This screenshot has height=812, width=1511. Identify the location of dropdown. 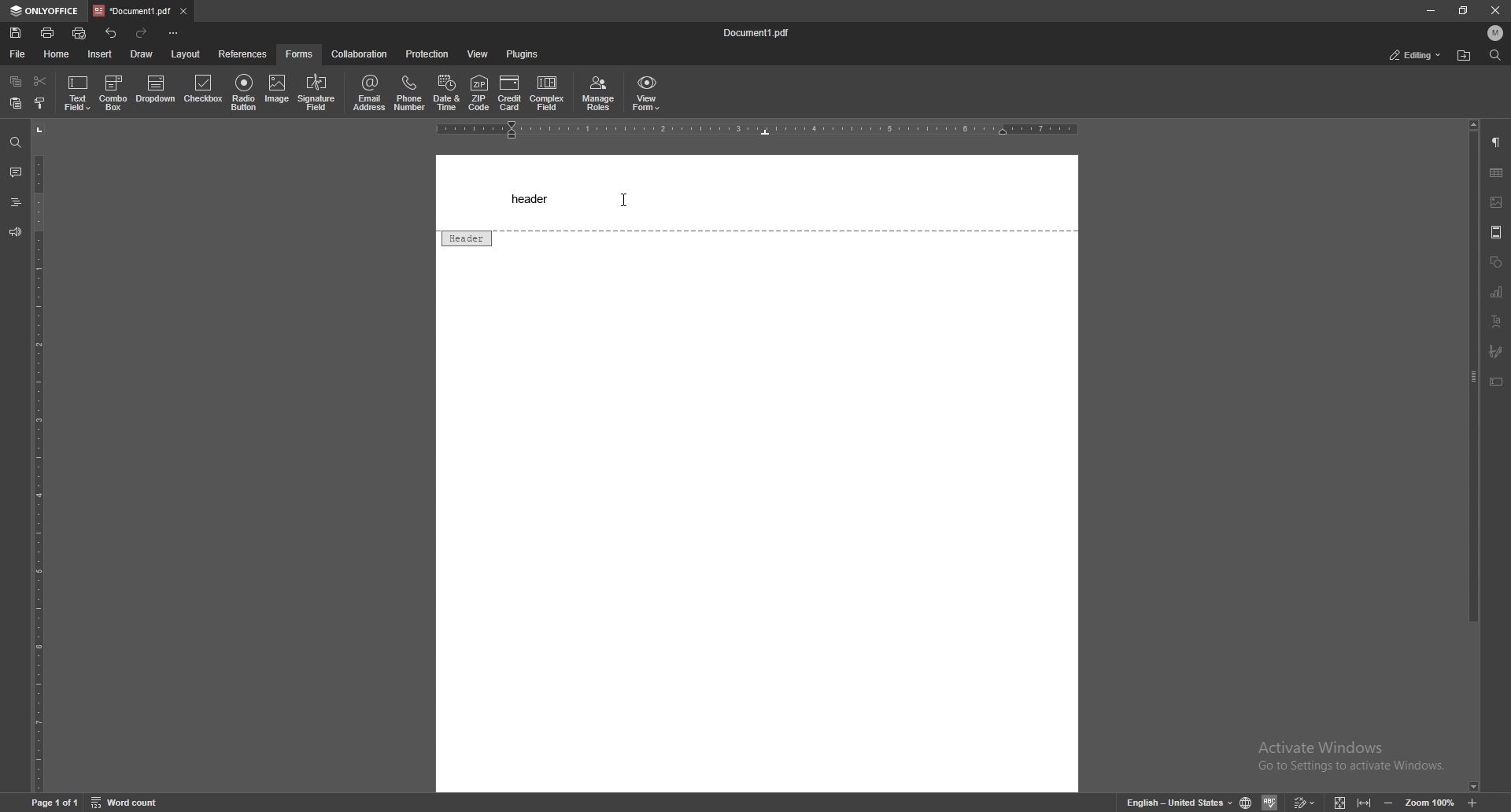
(156, 91).